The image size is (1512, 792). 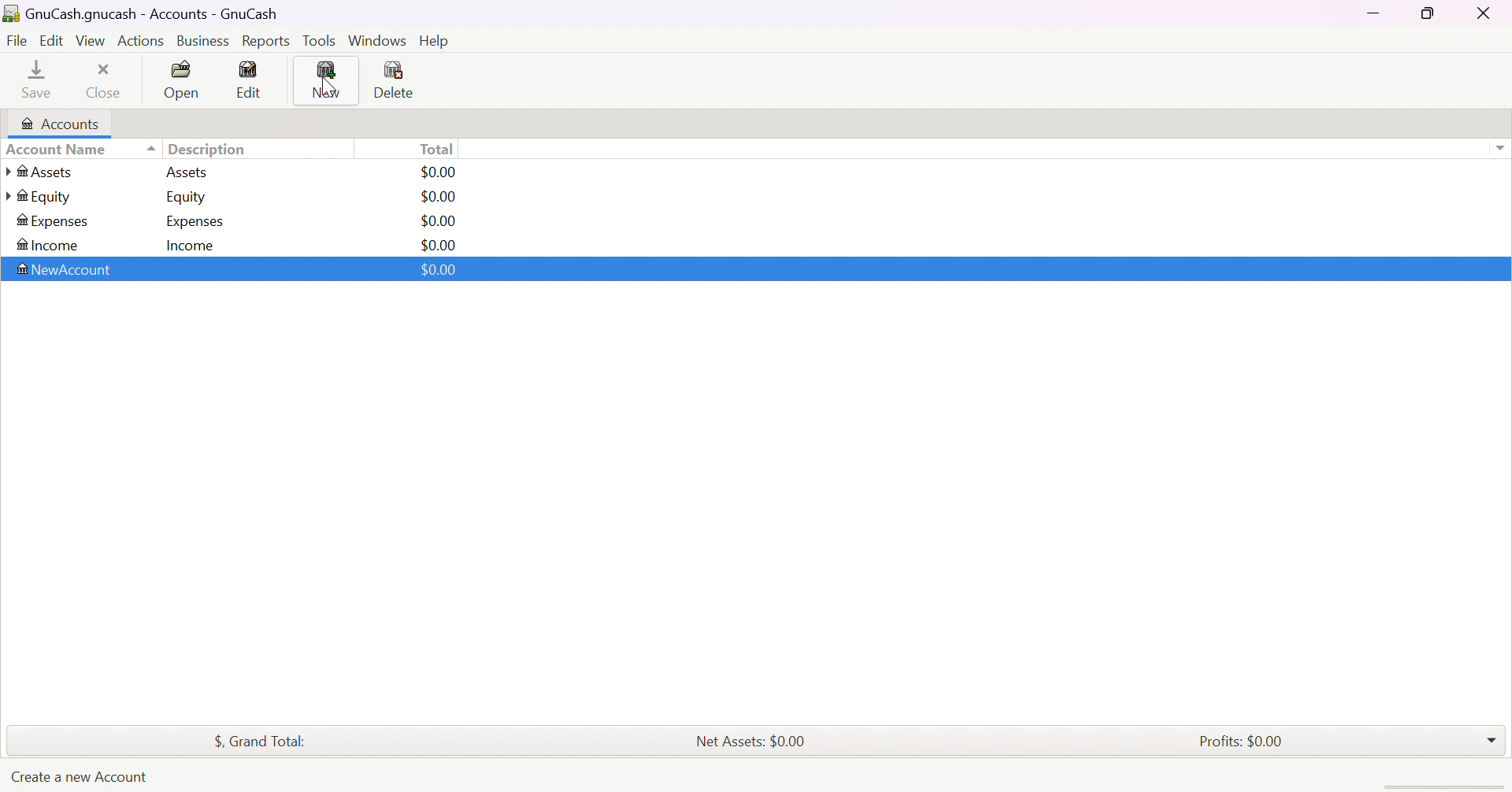 What do you see at coordinates (146, 14) in the screenshot?
I see `GnuCash.gnucash - Accounts - GnuCash` at bounding box center [146, 14].